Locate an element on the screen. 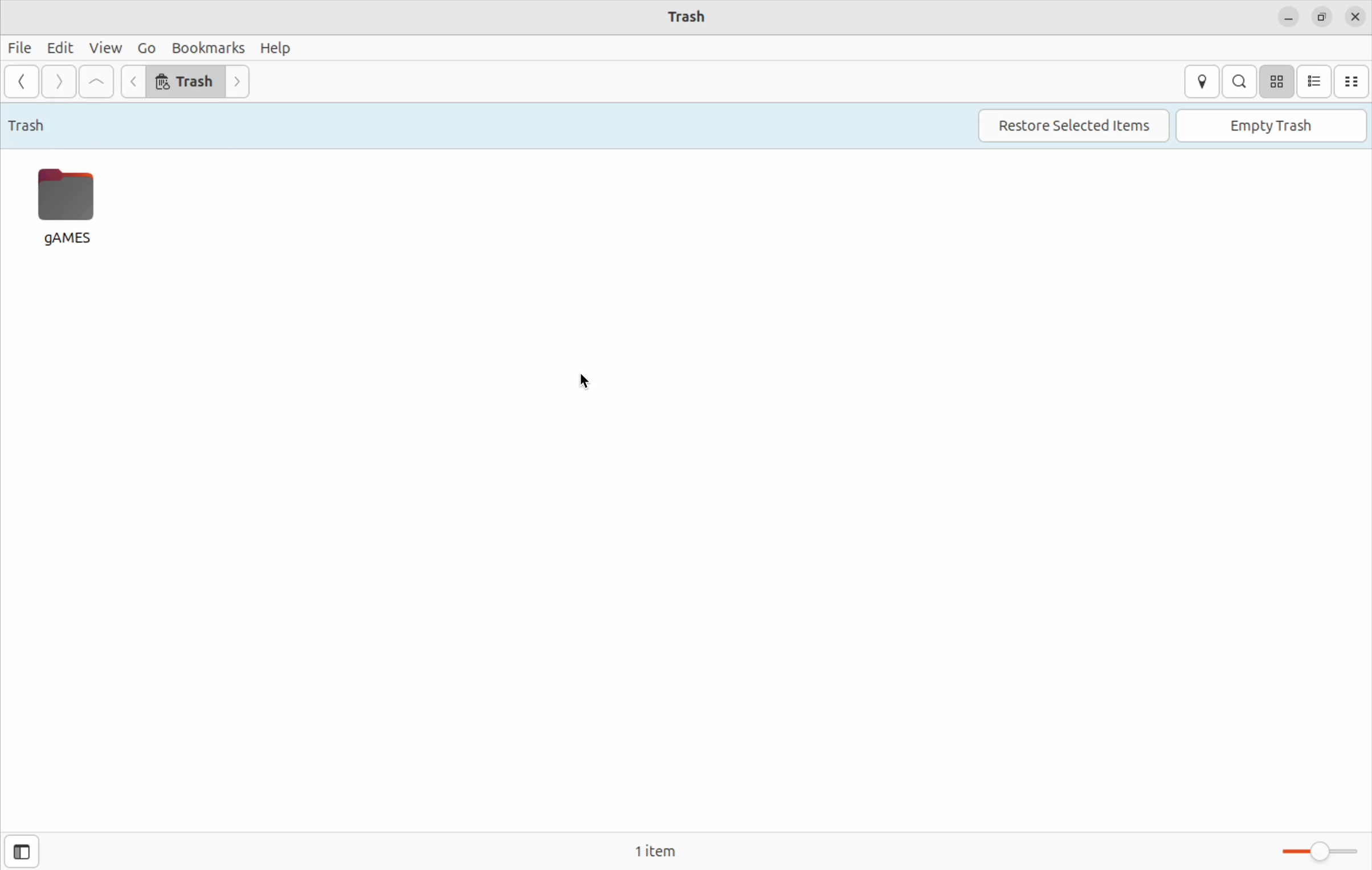  minimize is located at coordinates (1285, 17).